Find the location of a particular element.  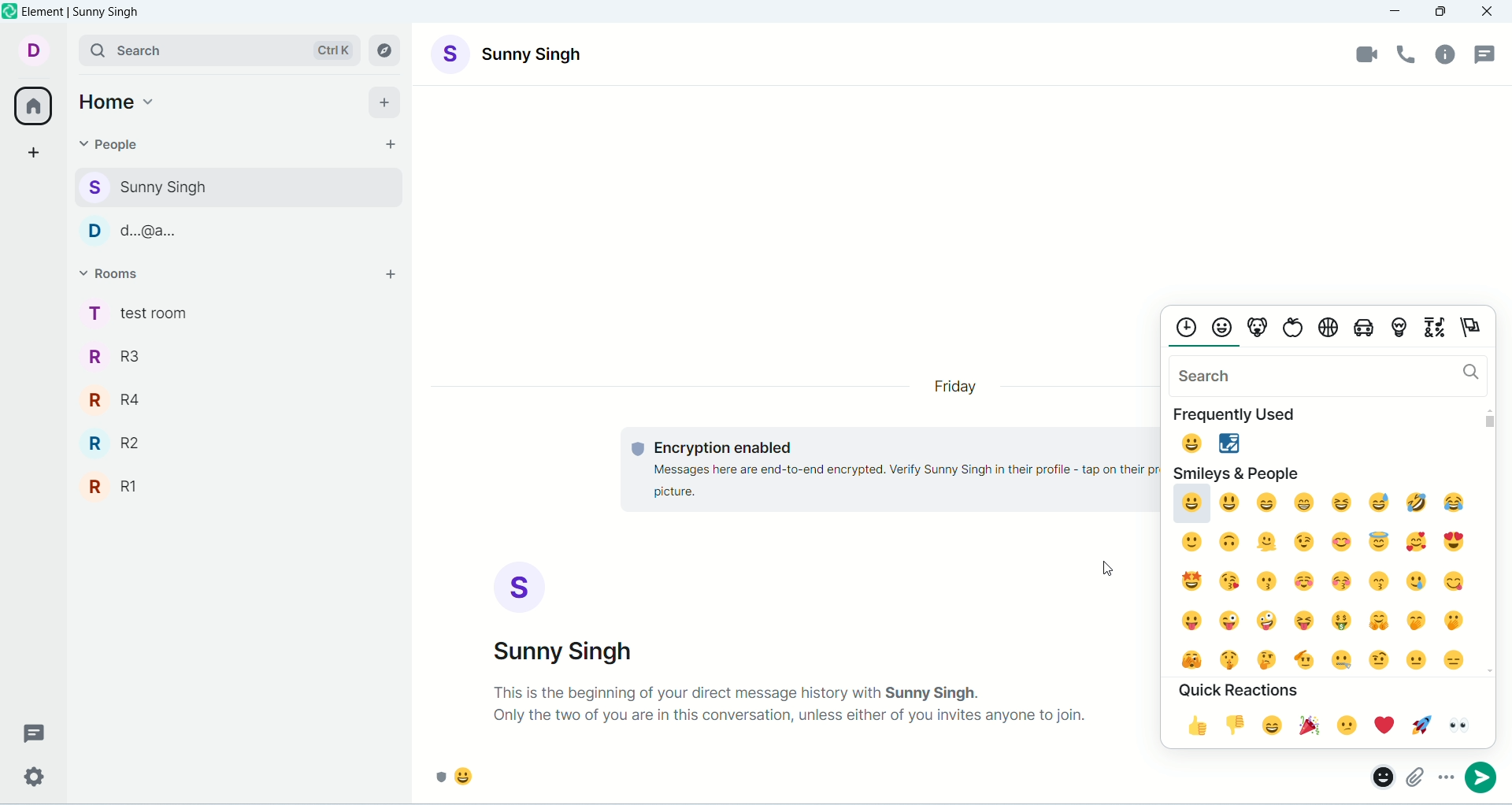

voice call is located at coordinates (1410, 57).